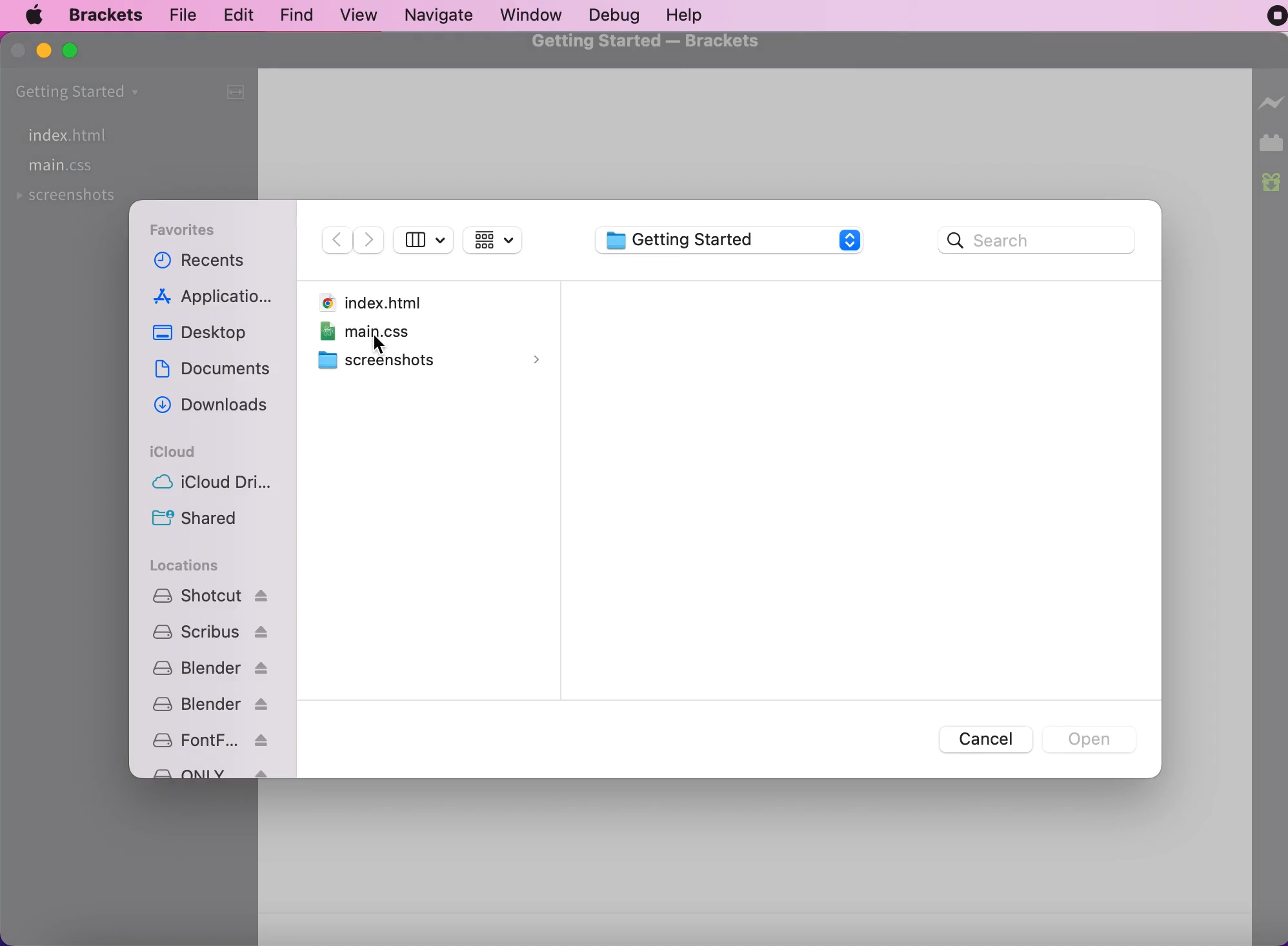 This screenshot has height=946, width=1288. I want to click on index.html, so click(381, 300).